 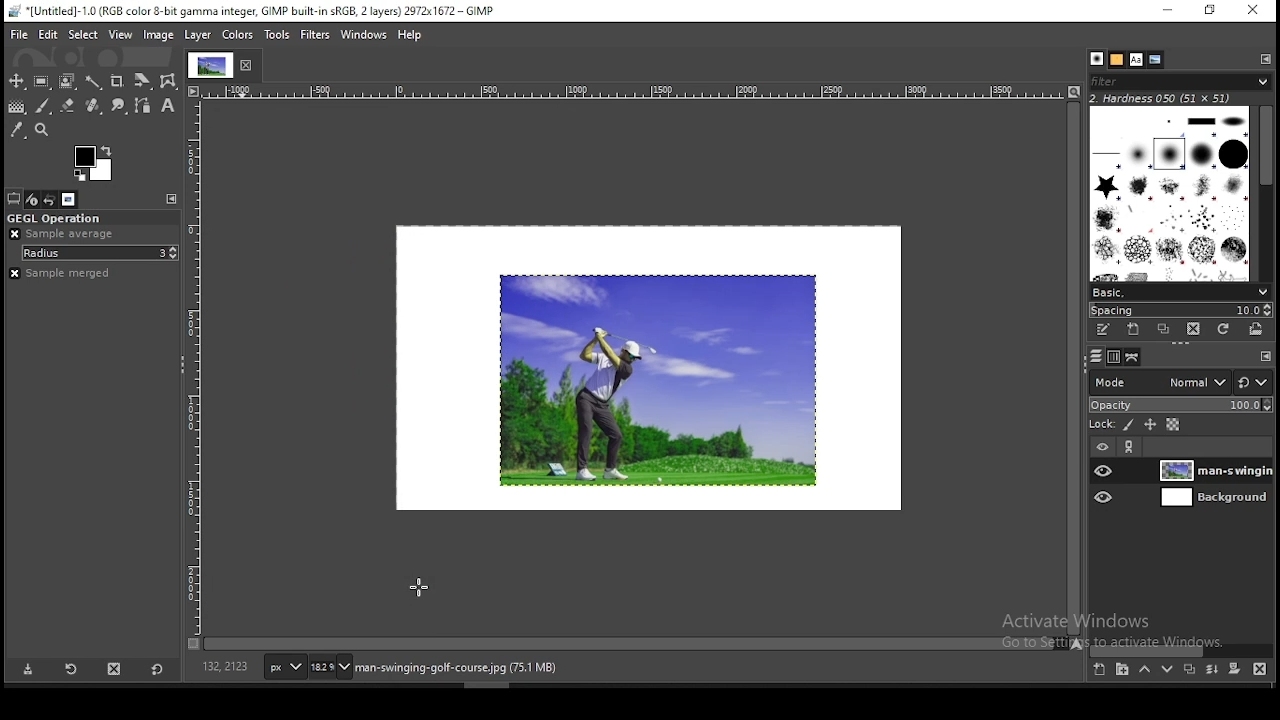 What do you see at coordinates (167, 108) in the screenshot?
I see `text tool` at bounding box center [167, 108].